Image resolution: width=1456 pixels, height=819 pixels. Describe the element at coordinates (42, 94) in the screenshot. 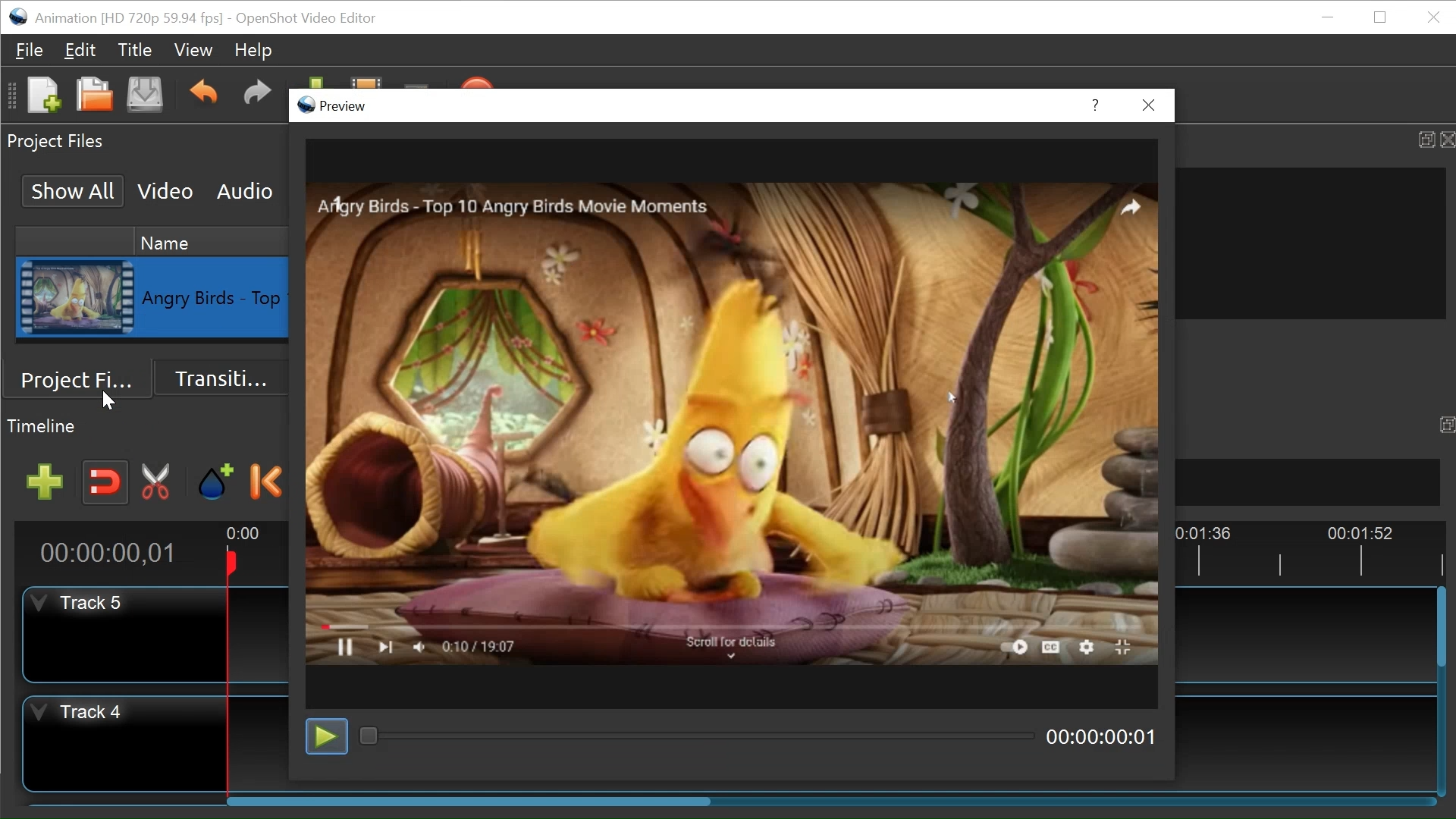

I see `New Project` at that location.